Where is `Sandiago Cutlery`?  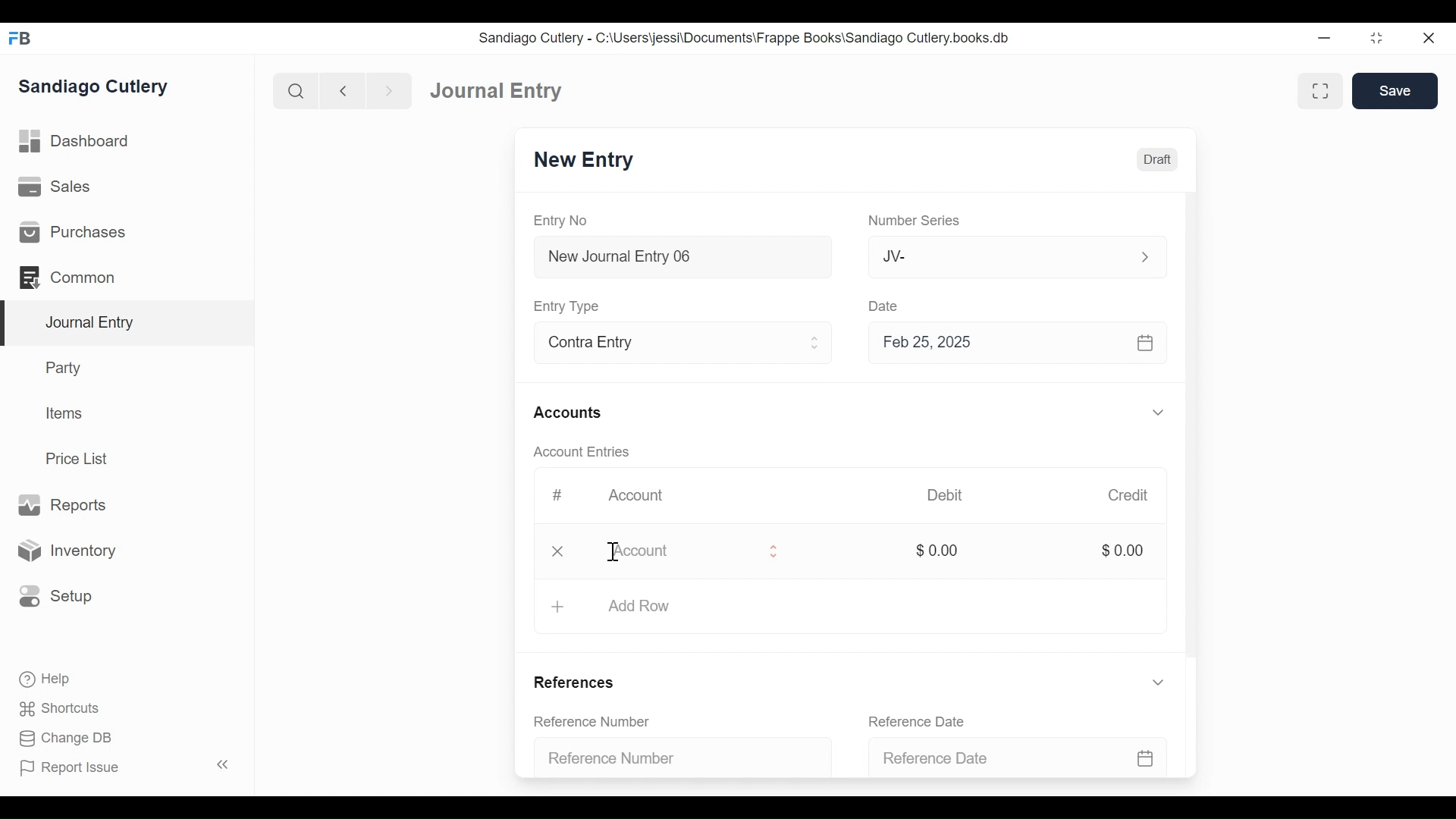
Sandiago Cutlery is located at coordinates (96, 87).